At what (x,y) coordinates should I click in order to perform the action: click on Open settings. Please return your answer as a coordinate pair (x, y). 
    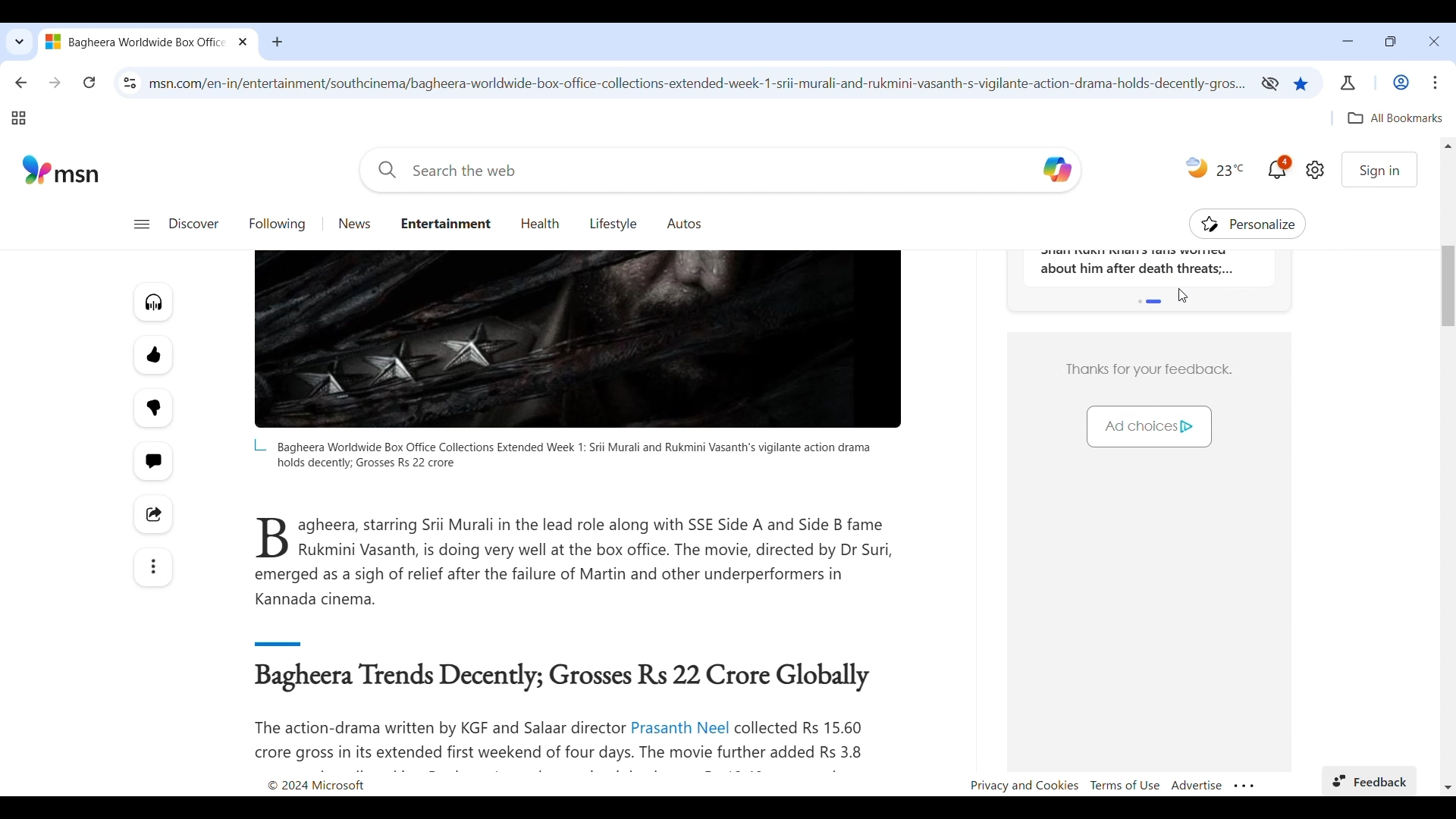
    Looking at the image, I should click on (1315, 170).